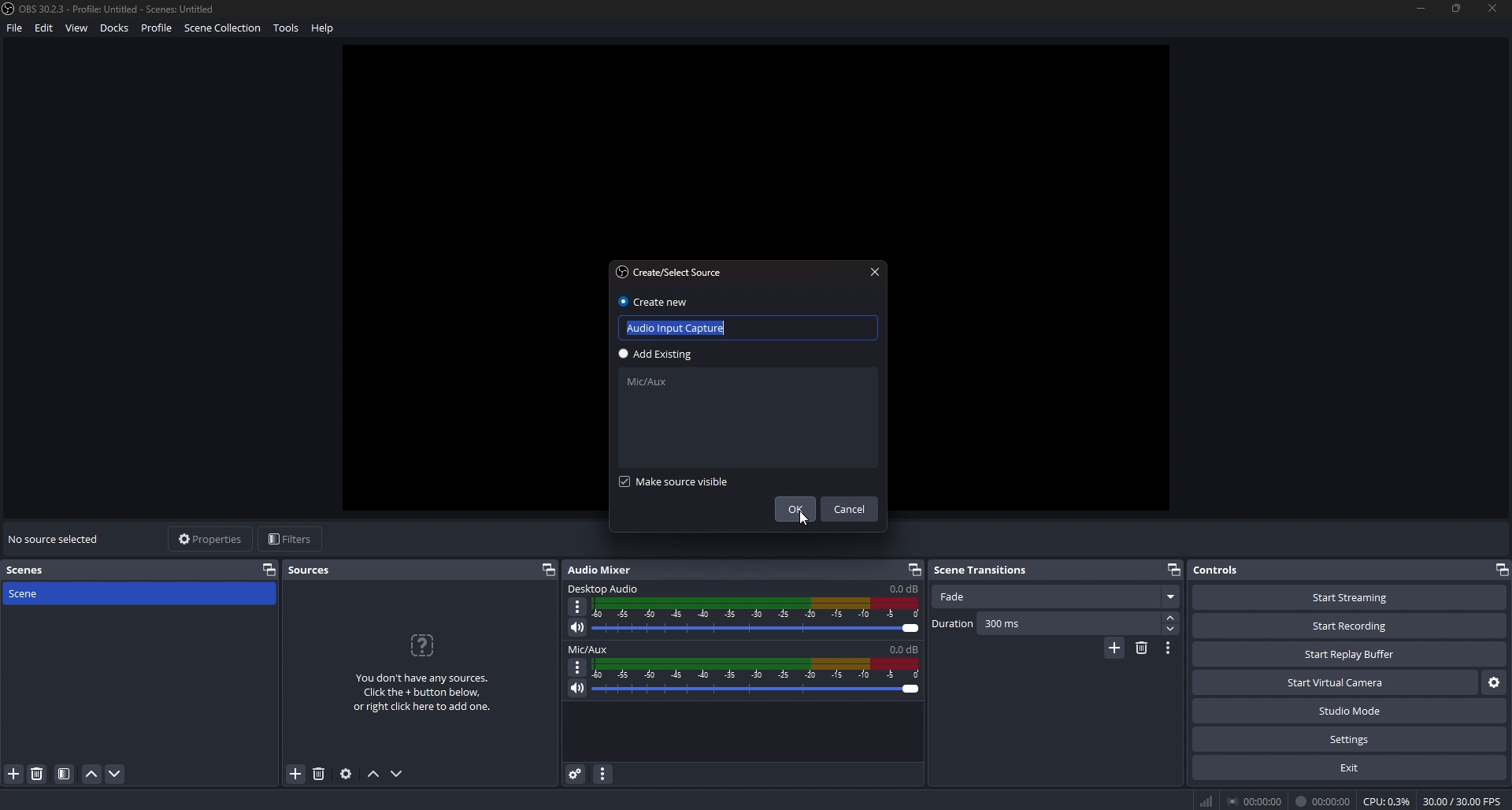 This screenshot has height=810, width=1512. What do you see at coordinates (292, 539) in the screenshot?
I see `filters` at bounding box center [292, 539].